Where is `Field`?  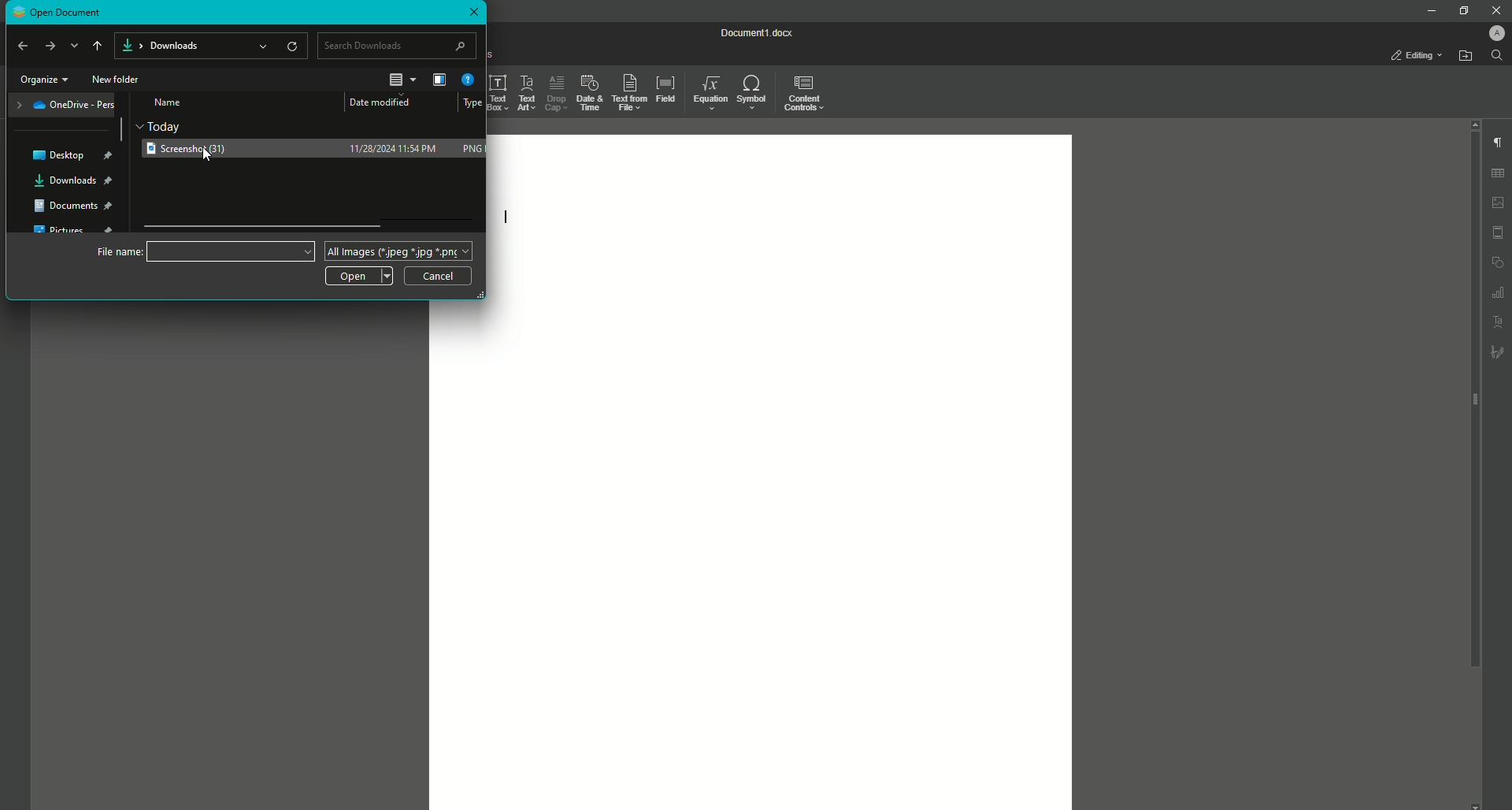 Field is located at coordinates (667, 93).